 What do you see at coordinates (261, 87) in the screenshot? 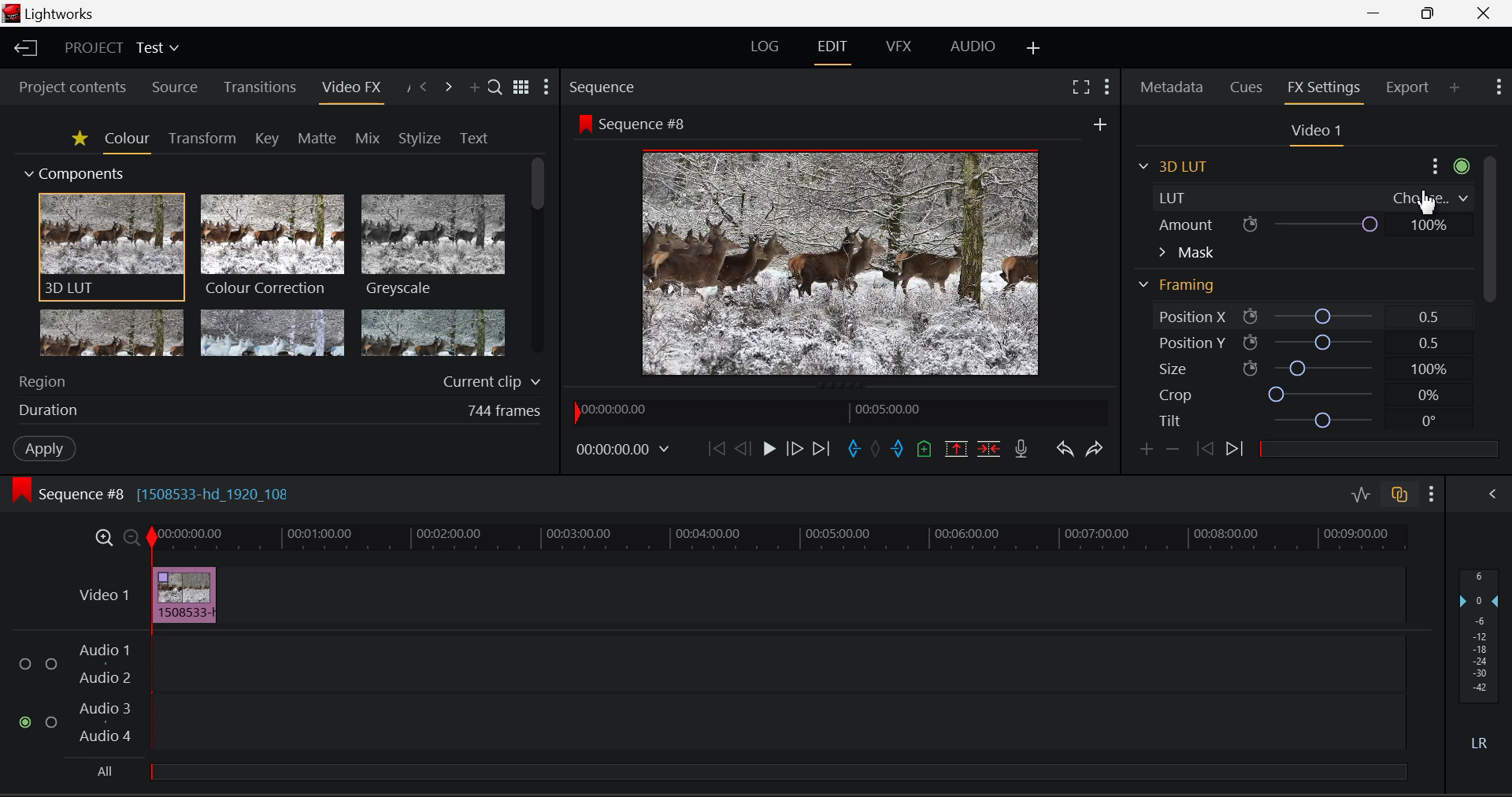
I see `Transitions` at bounding box center [261, 87].